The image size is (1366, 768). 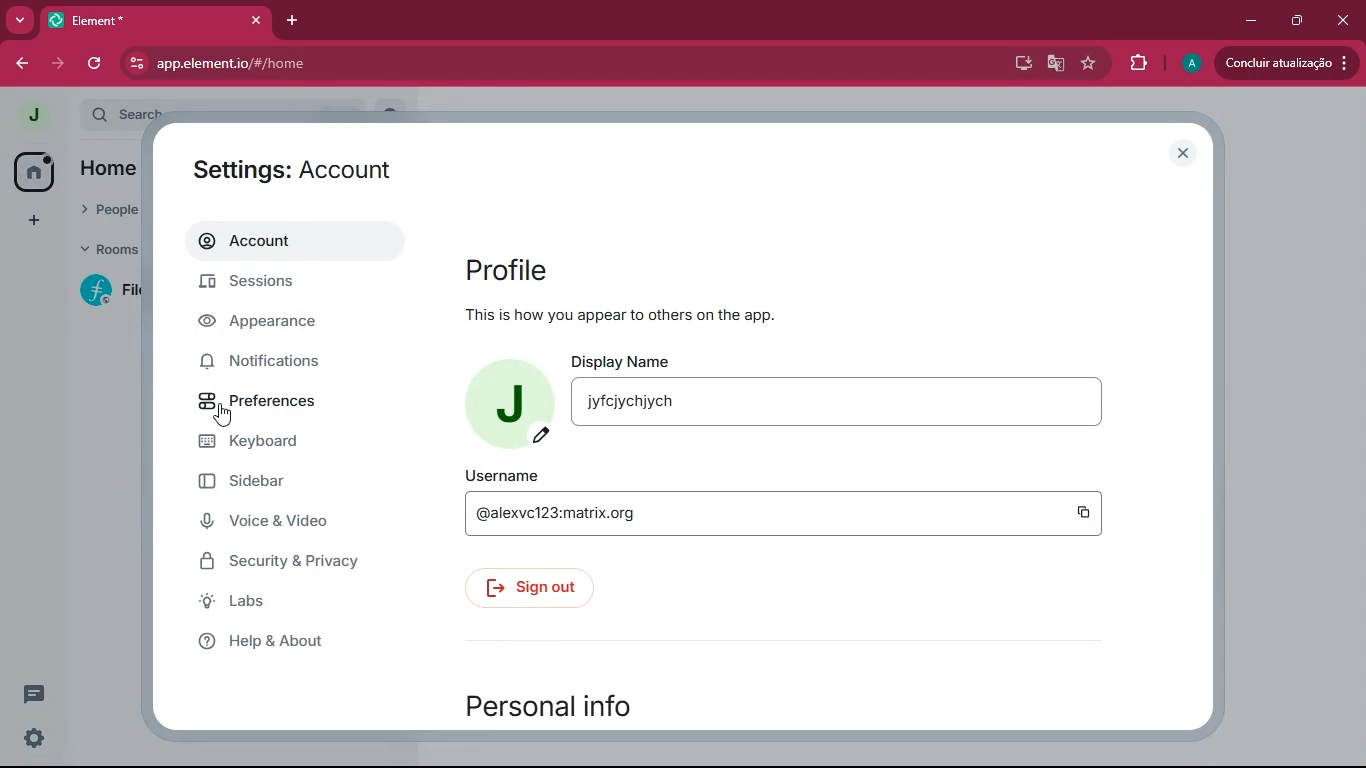 I want to click on settings: account, so click(x=296, y=166).